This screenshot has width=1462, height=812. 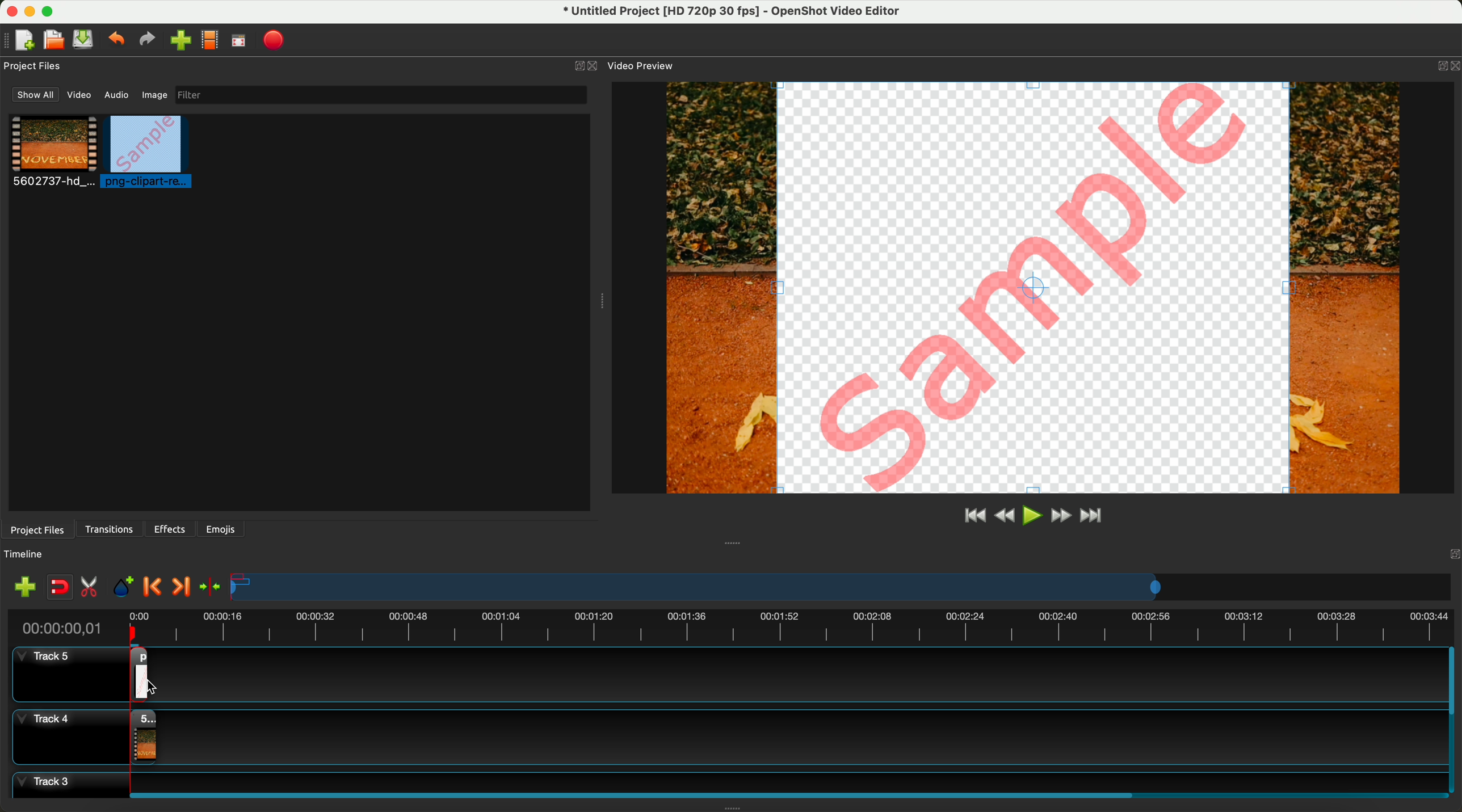 I want to click on add mark, so click(x=126, y=589).